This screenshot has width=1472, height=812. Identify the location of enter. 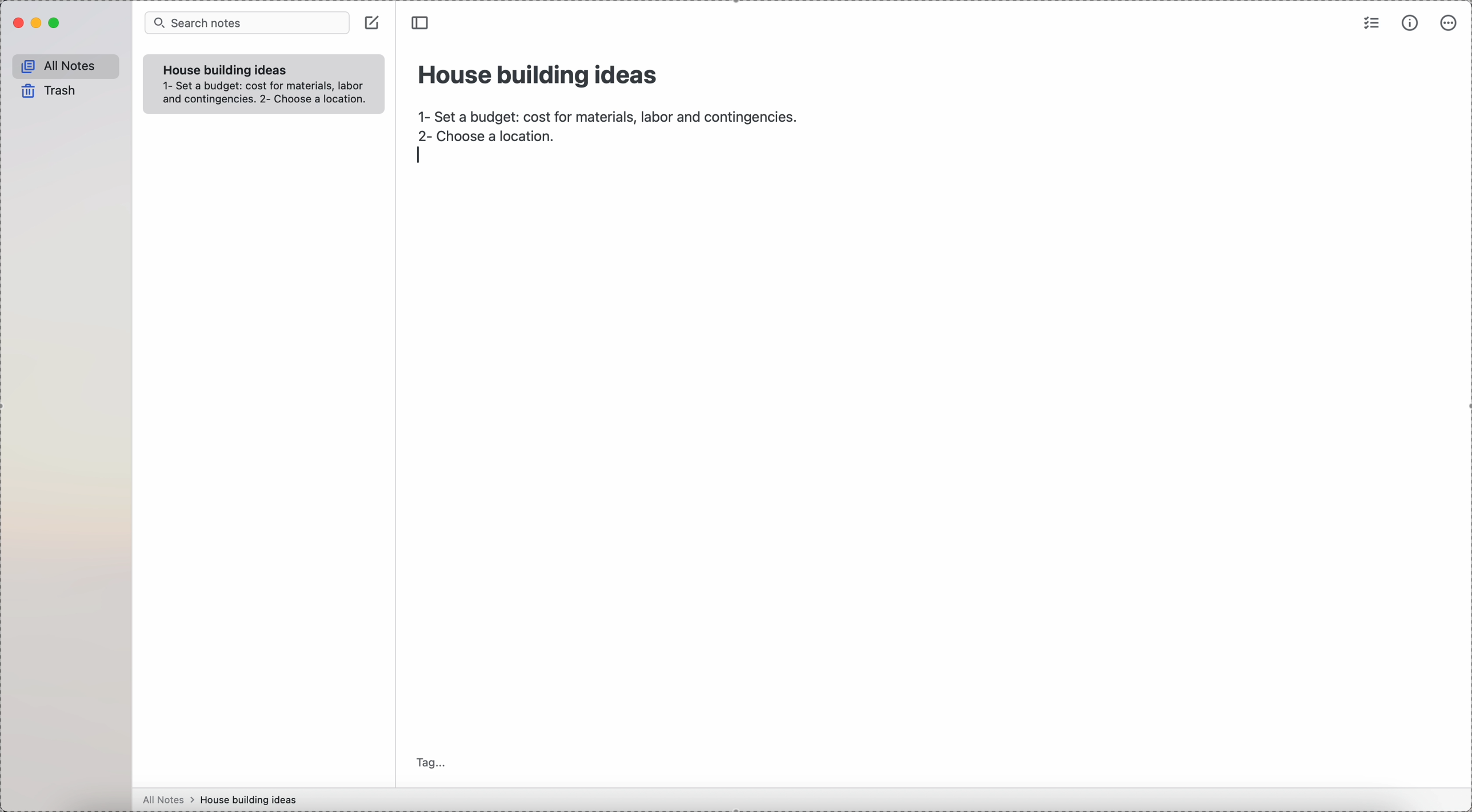
(421, 155).